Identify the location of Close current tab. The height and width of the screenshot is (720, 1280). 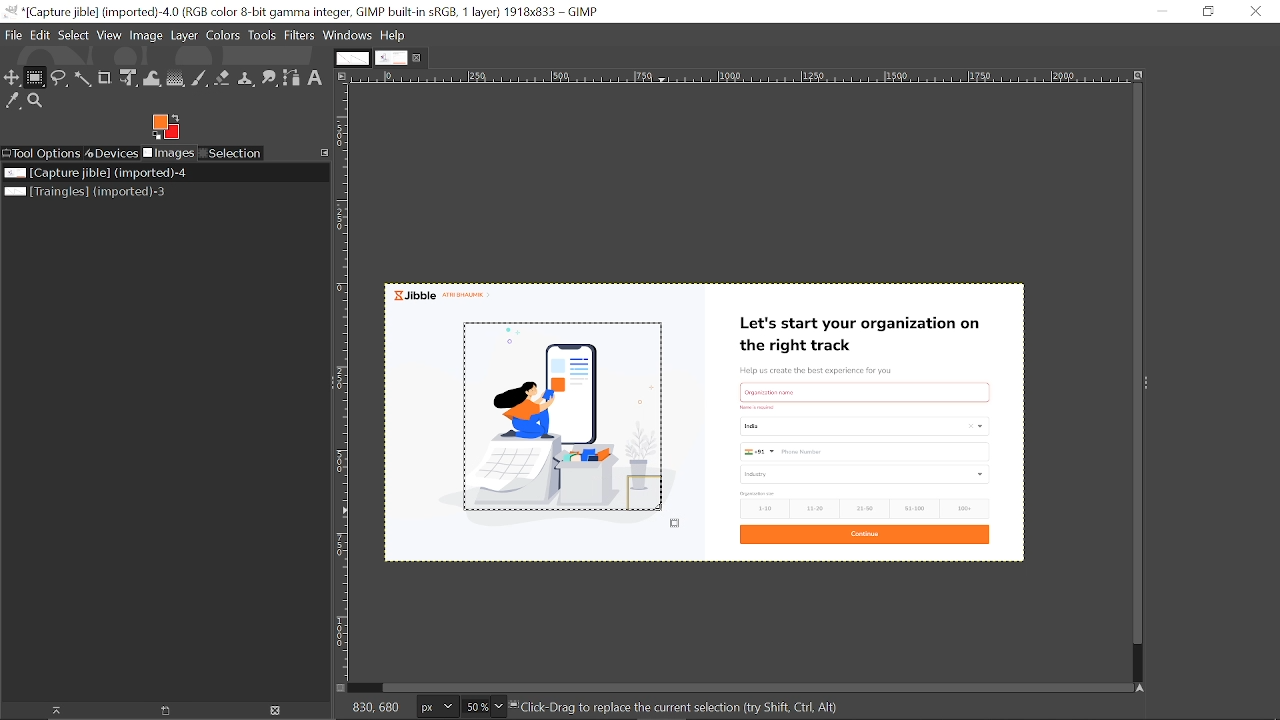
(418, 59).